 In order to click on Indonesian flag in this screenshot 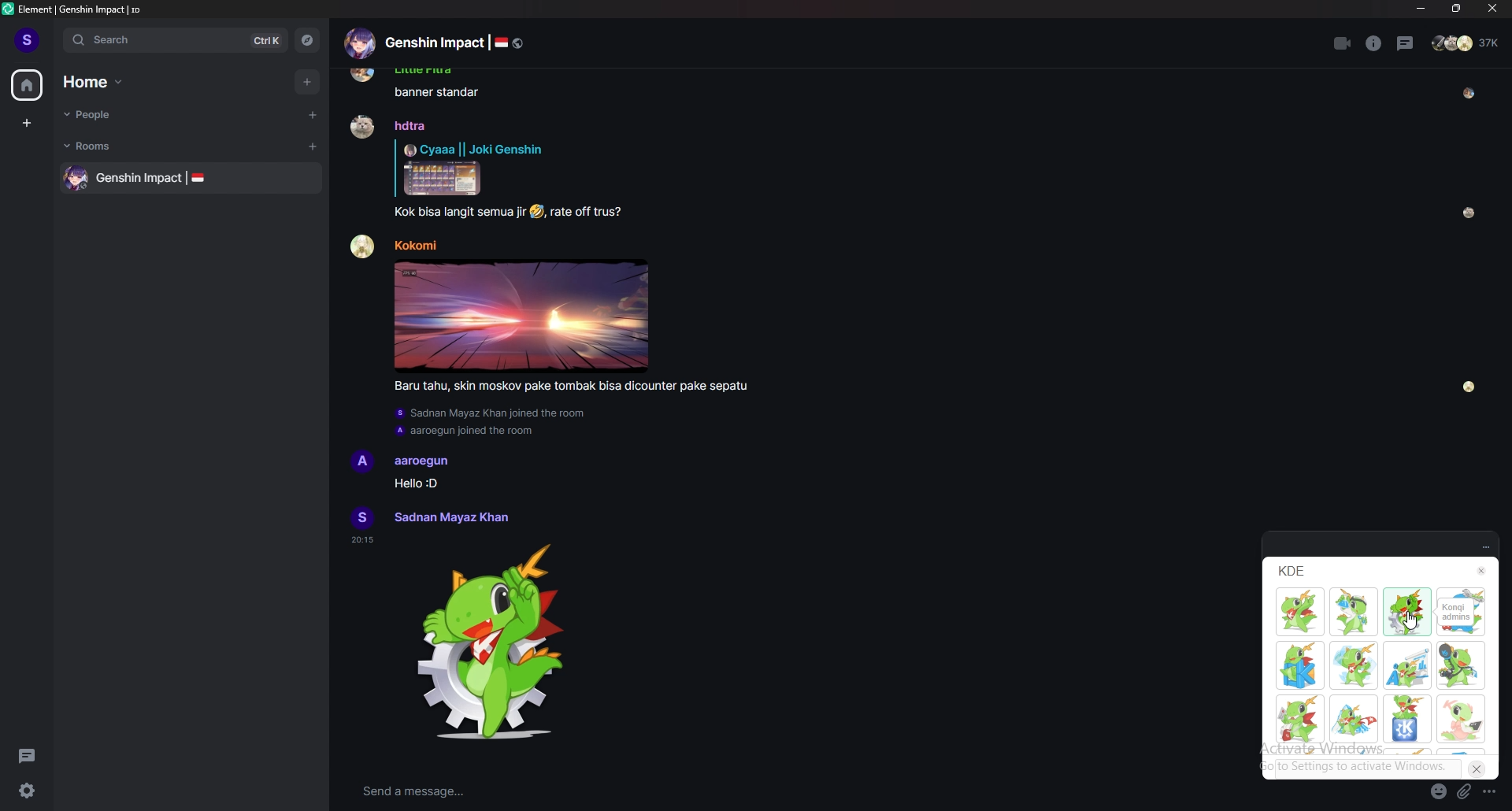, I will do `click(198, 177)`.